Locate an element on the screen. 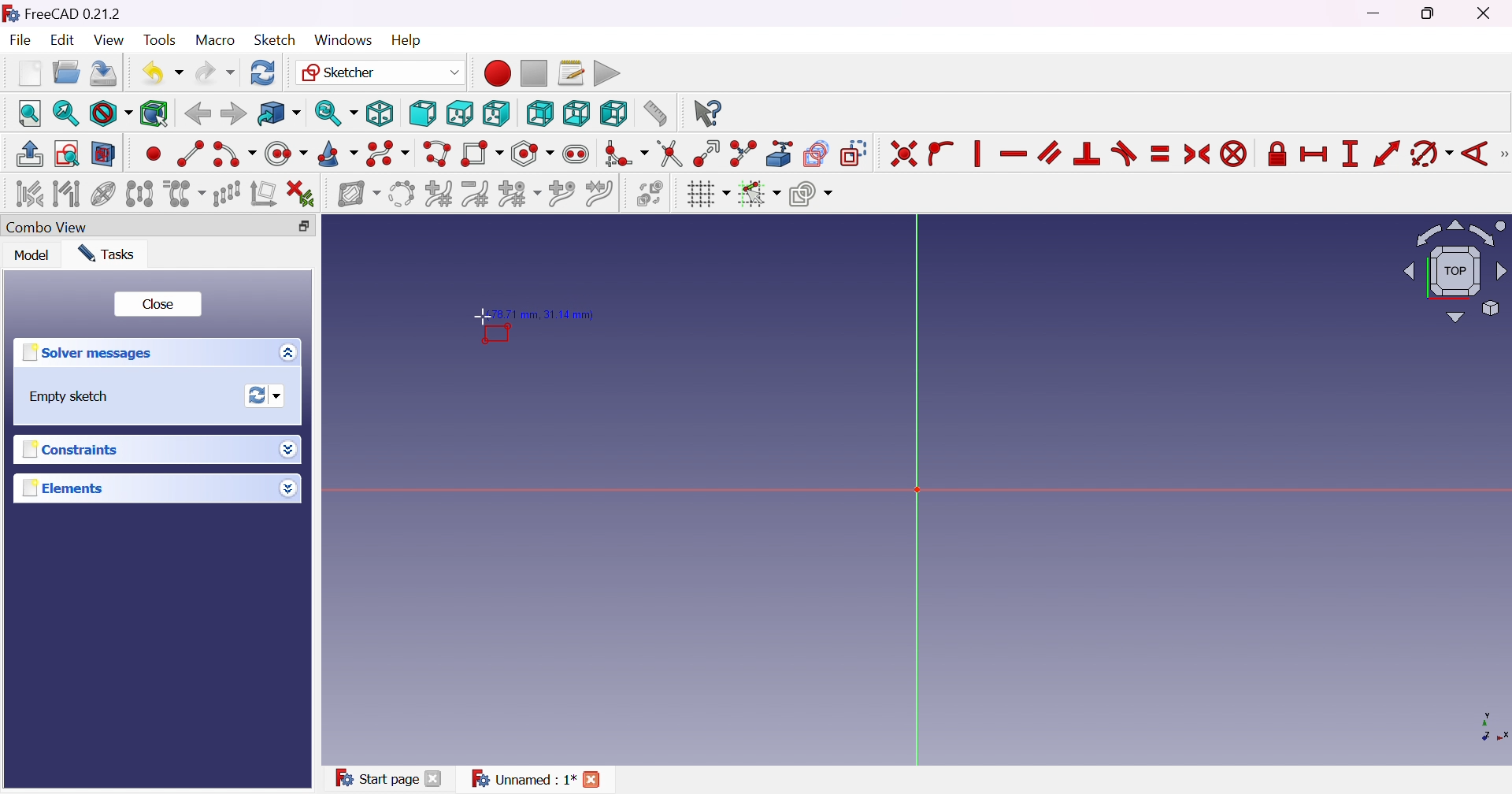 The image size is (1512, 794). Constrain horizontal distance is located at coordinates (1313, 156).